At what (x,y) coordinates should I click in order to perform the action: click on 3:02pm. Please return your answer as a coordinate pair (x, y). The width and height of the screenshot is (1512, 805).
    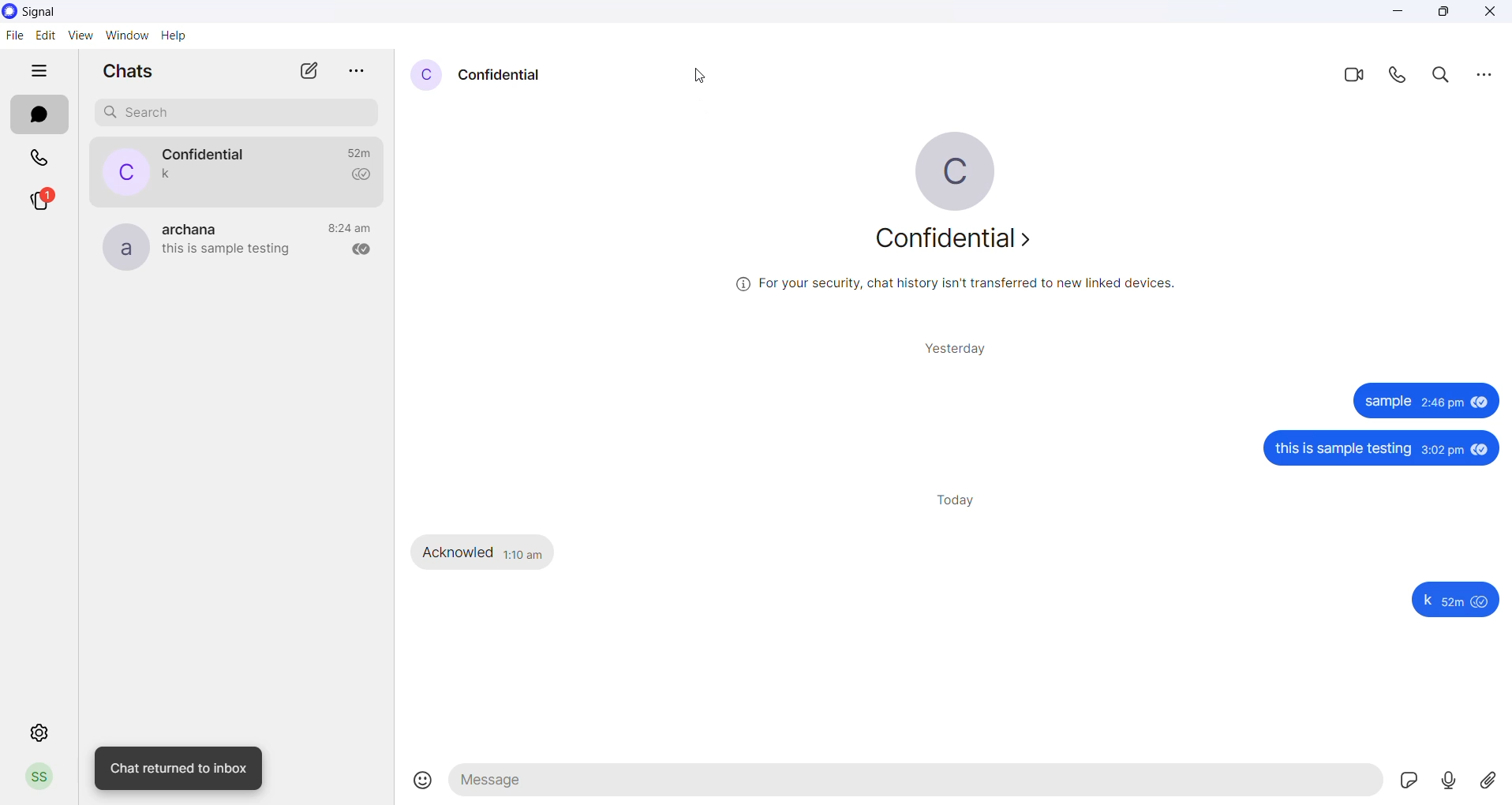
    Looking at the image, I should click on (1441, 450).